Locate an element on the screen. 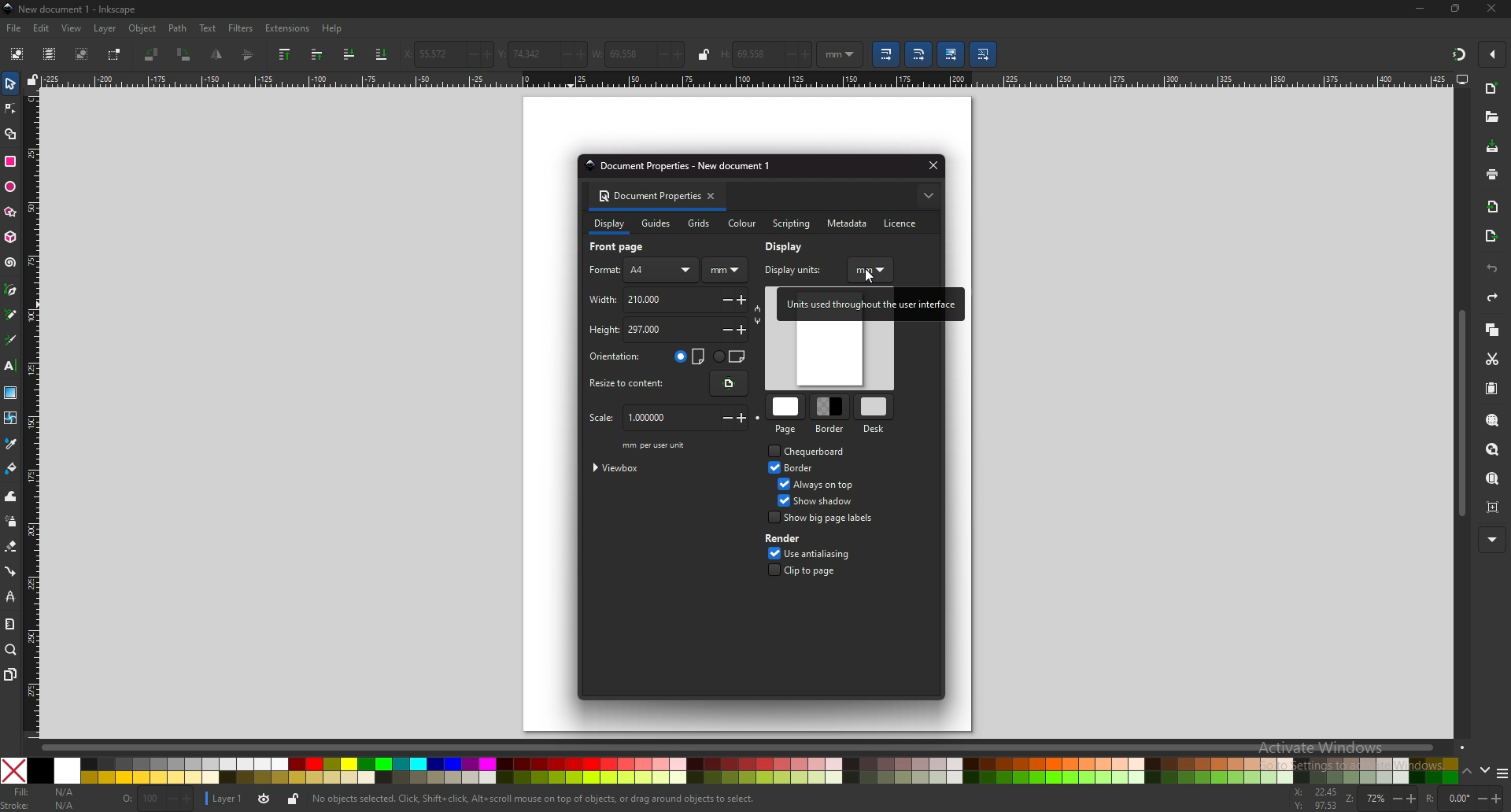  cursor coordinates y-axis is located at coordinates (1312, 806).